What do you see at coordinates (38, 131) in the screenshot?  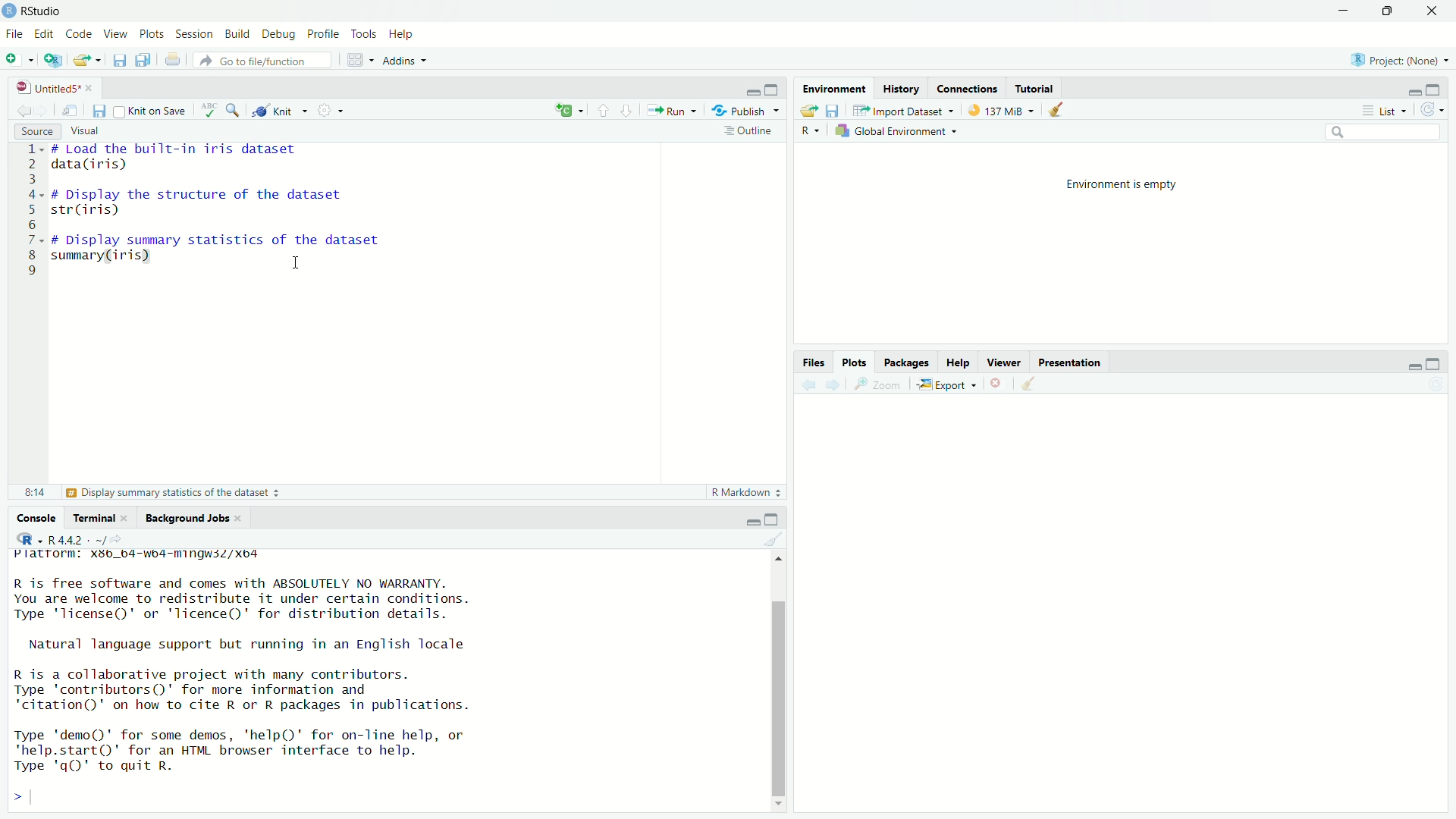 I see `Source` at bounding box center [38, 131].